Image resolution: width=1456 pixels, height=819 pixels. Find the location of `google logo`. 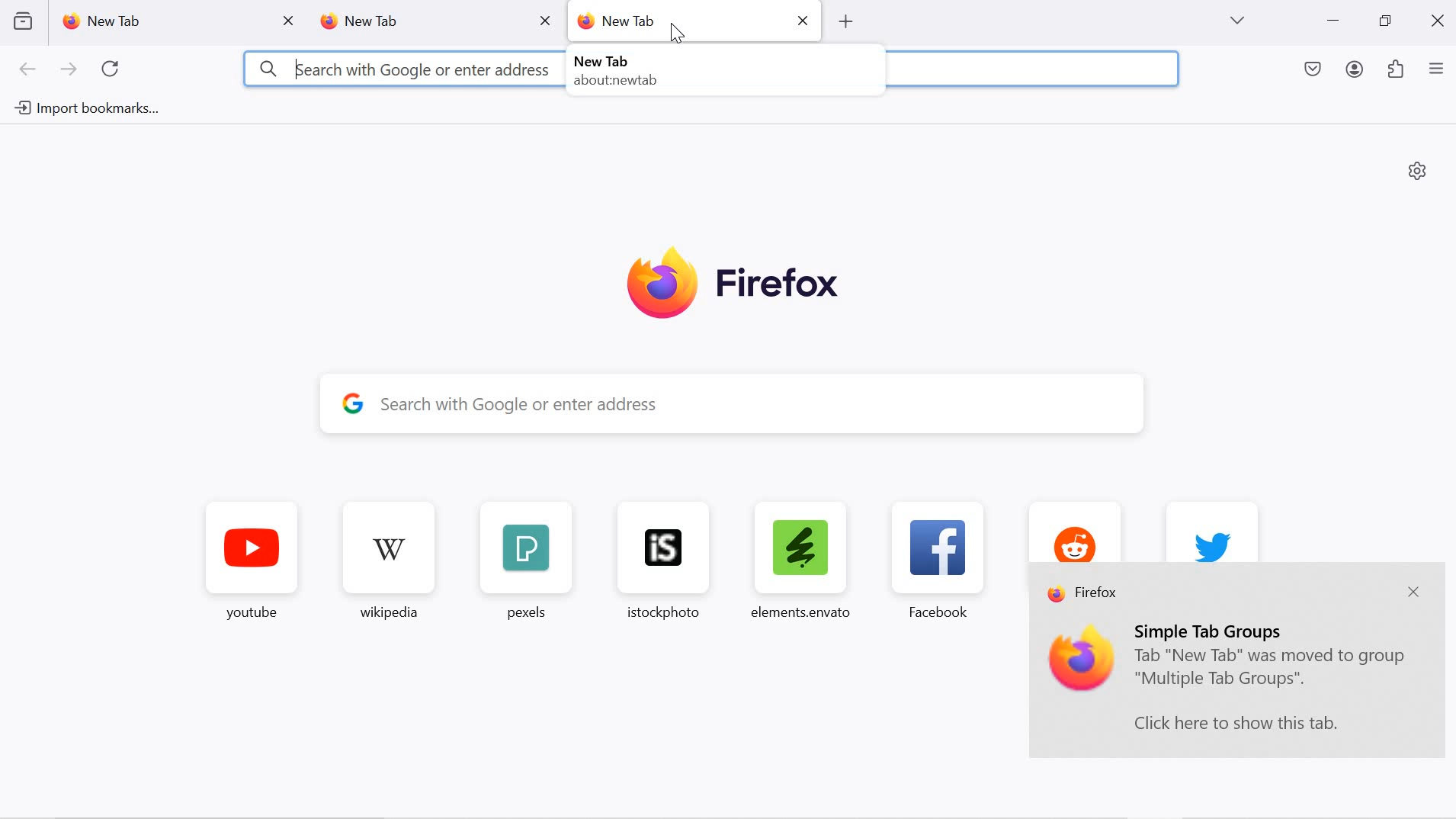

google logo is located at coordinates (353, 402).